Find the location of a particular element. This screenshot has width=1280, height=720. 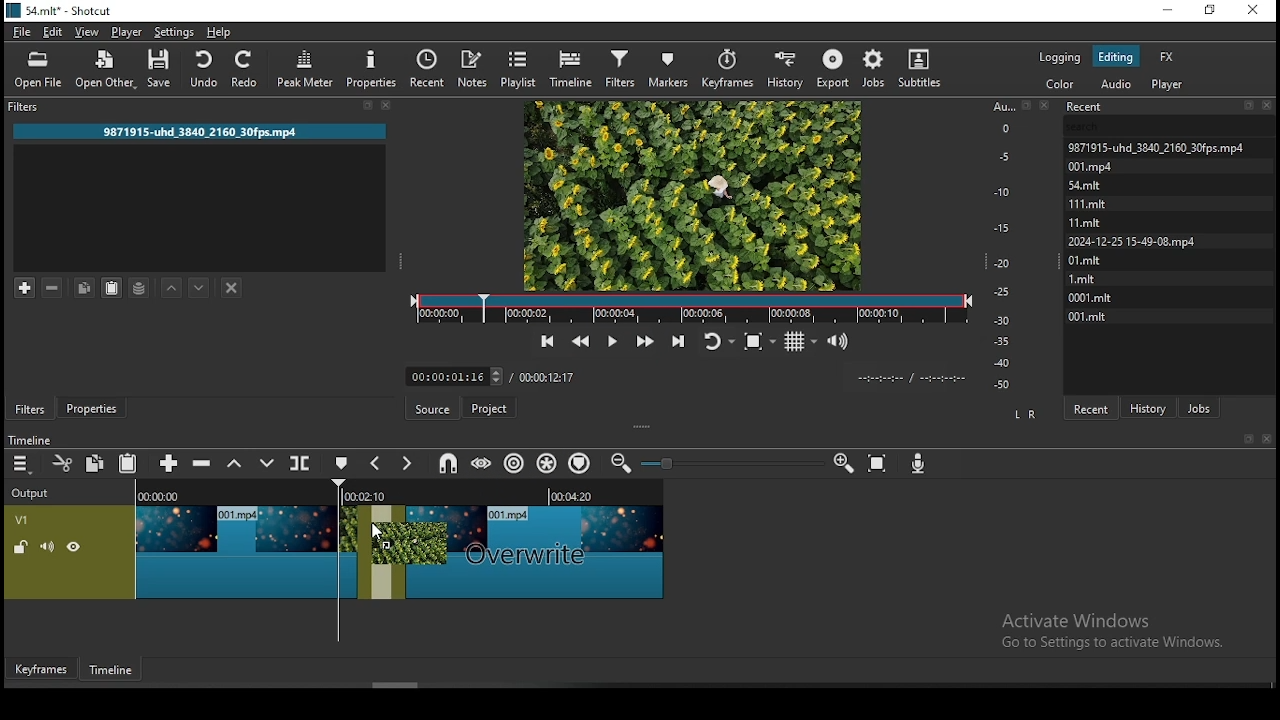

move filter up is located at coordinates (173, 286).